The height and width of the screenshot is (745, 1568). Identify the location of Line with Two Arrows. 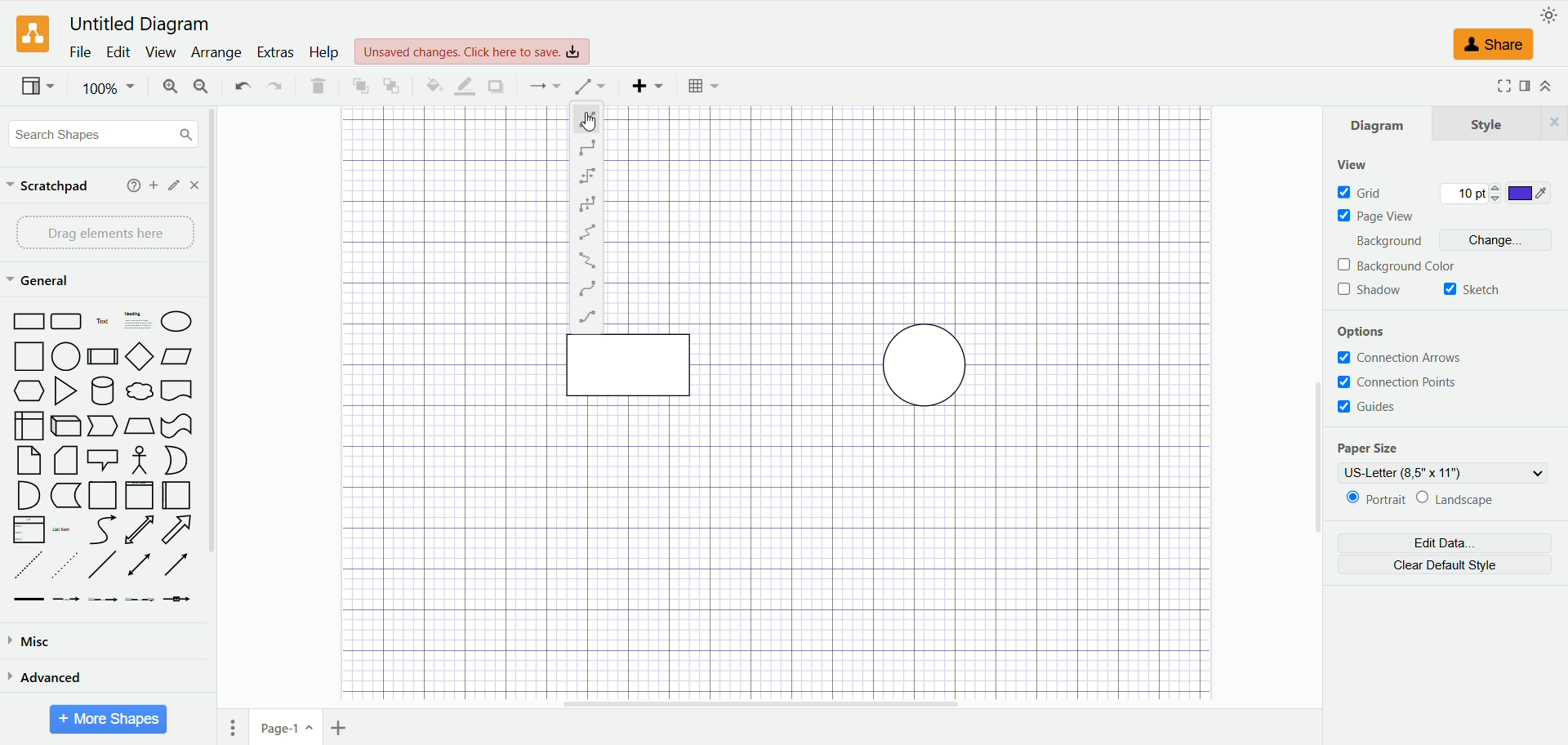
(142, 565).